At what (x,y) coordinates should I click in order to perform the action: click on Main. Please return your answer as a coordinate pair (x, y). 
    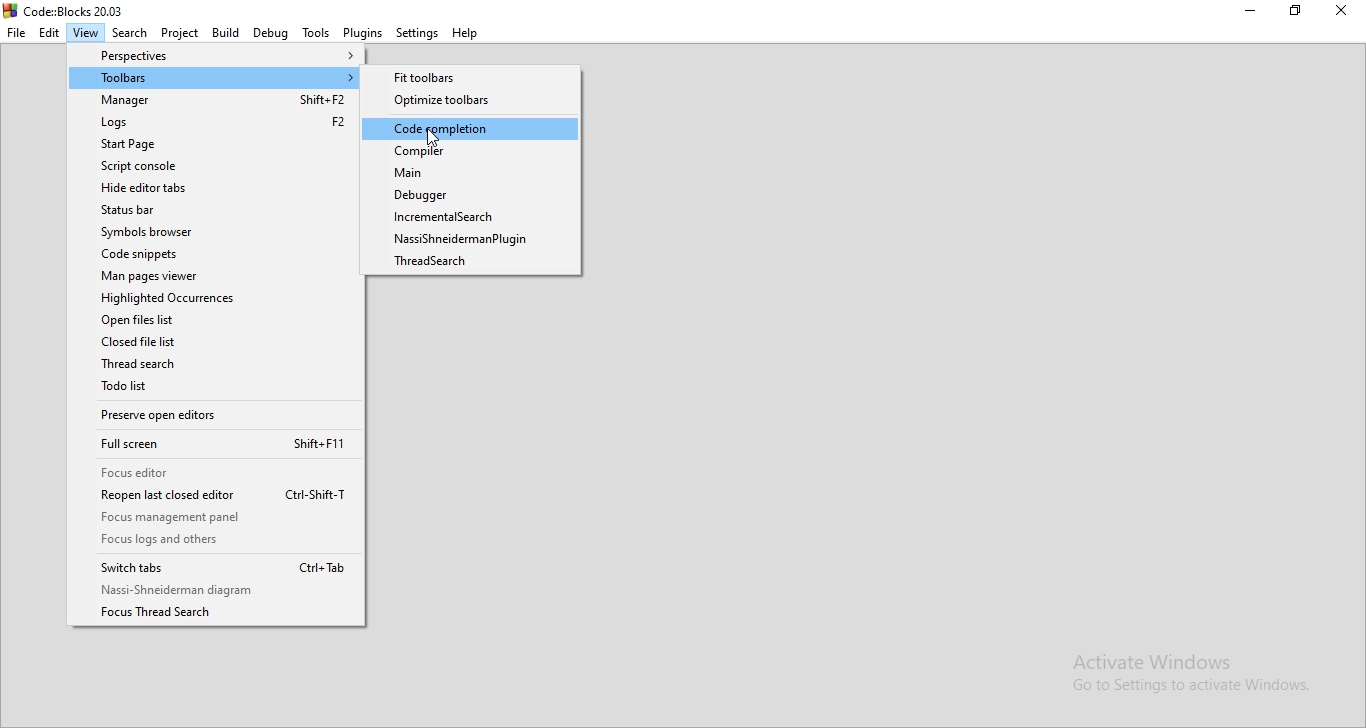
    Looking at the image, I should click on (471, 174).